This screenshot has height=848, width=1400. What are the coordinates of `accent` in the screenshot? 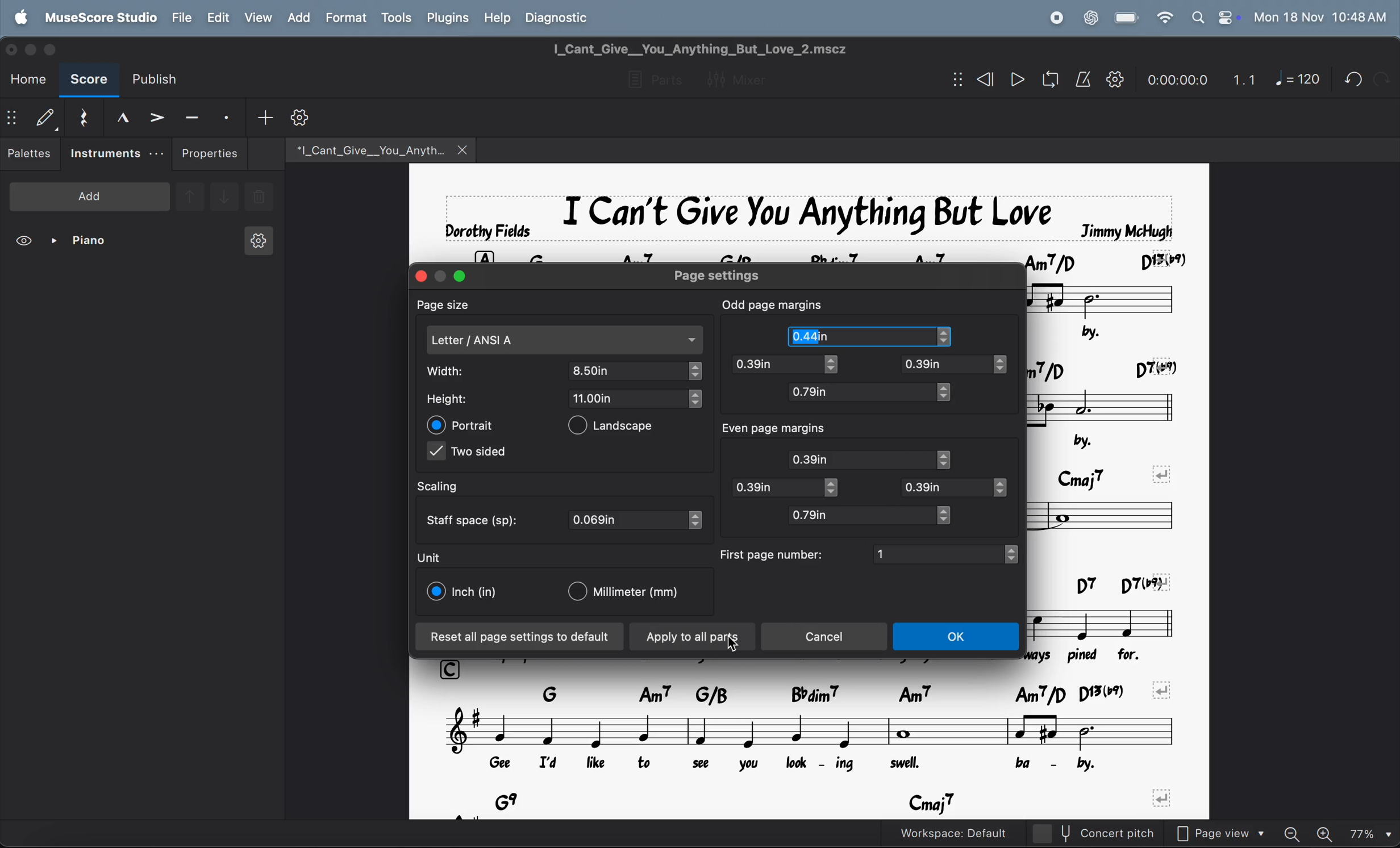 It's located at (156, 116).